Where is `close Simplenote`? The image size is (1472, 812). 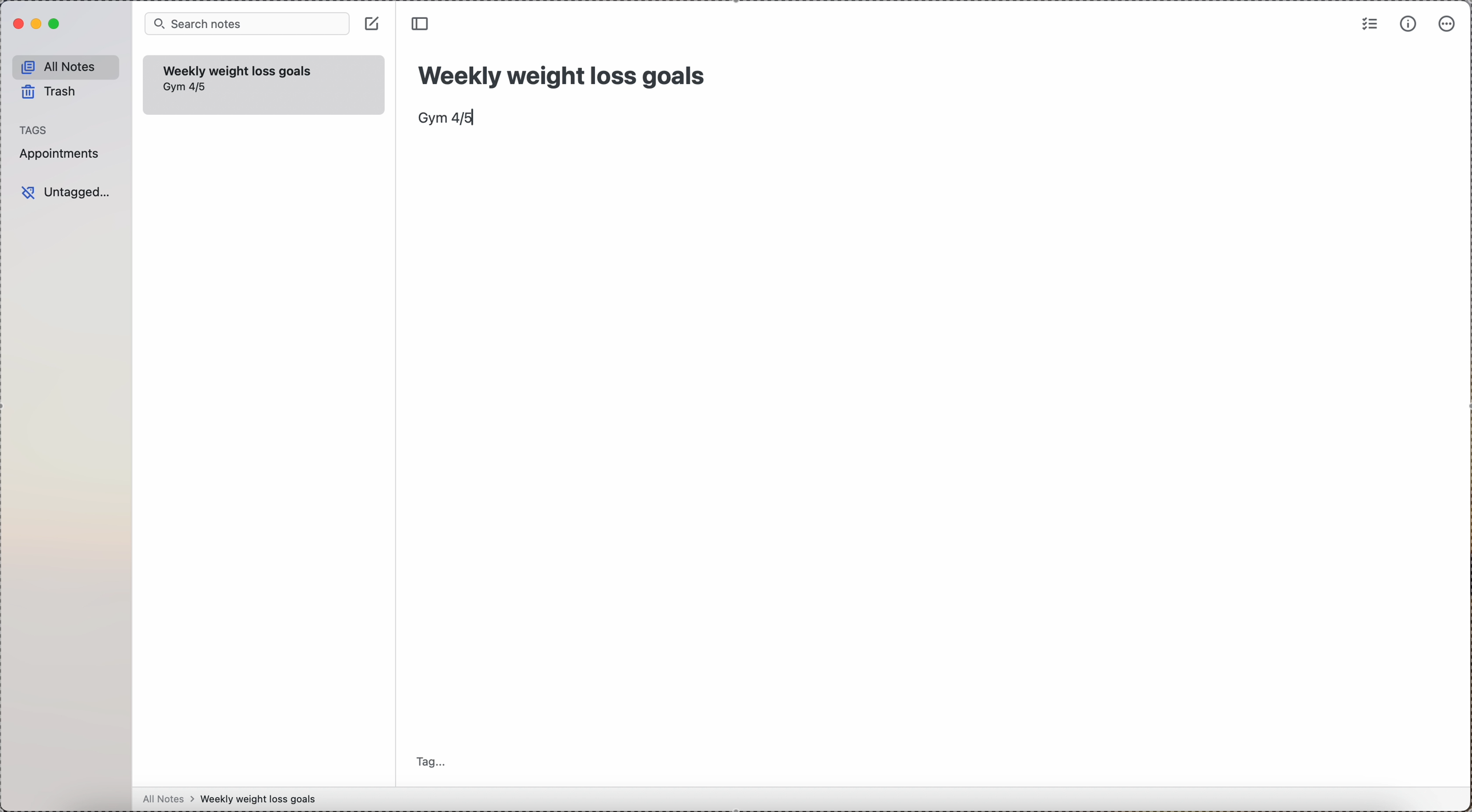
close Simplenote is located at coordinates (18, 23).